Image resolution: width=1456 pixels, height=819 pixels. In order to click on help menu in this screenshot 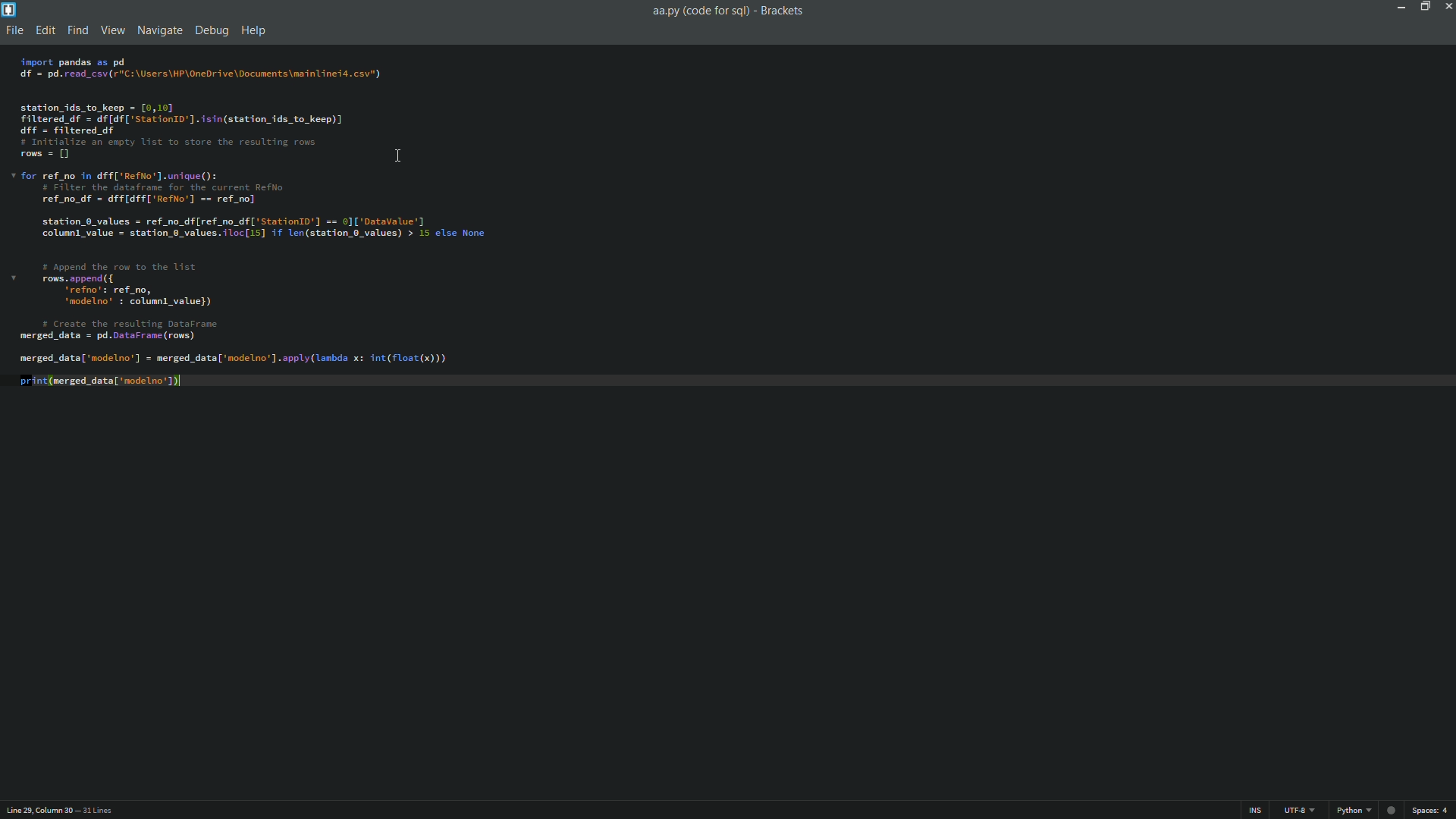, I will do `click(253, 31)`.